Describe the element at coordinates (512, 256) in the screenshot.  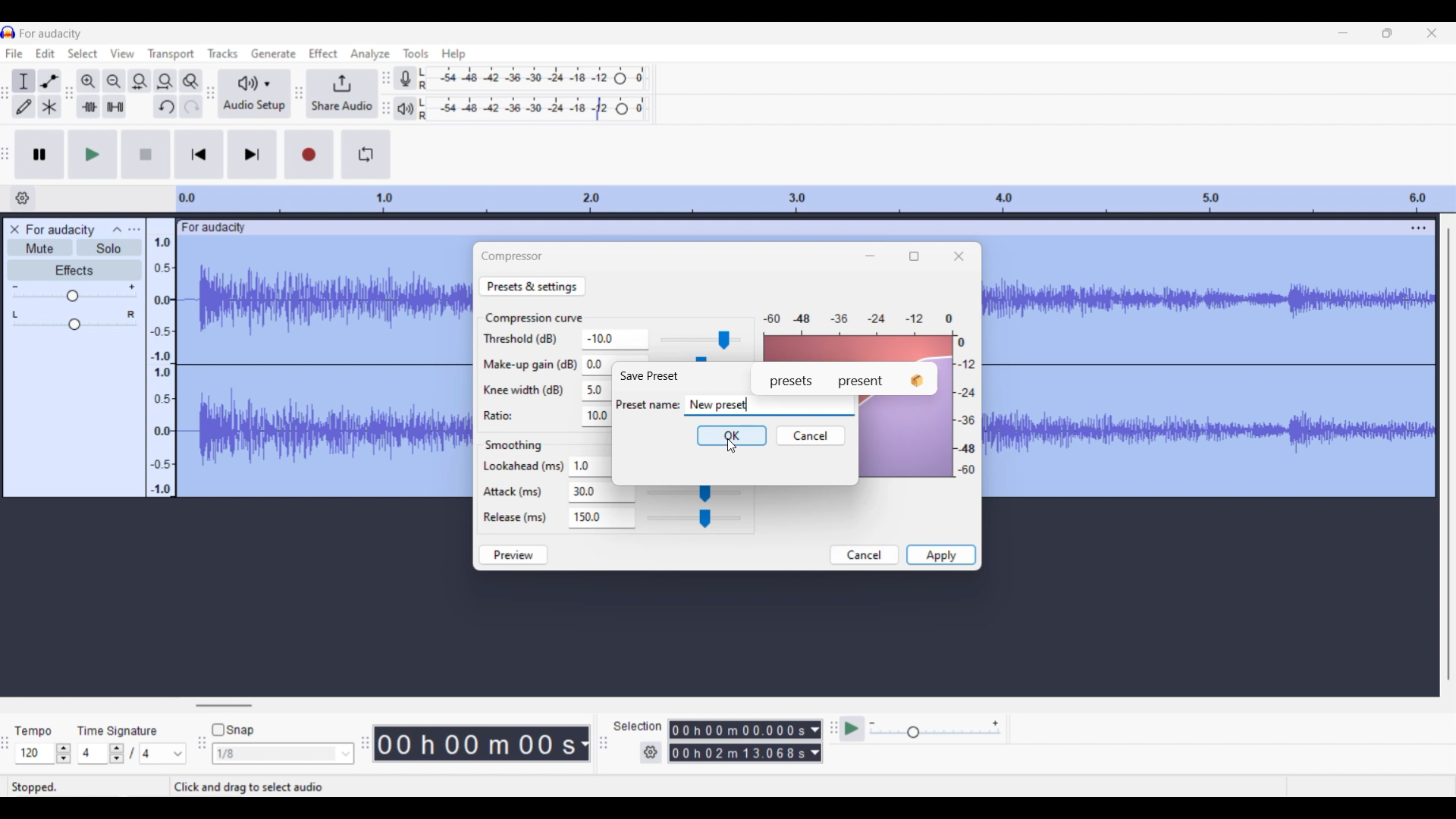
I see `Compression` at that location.